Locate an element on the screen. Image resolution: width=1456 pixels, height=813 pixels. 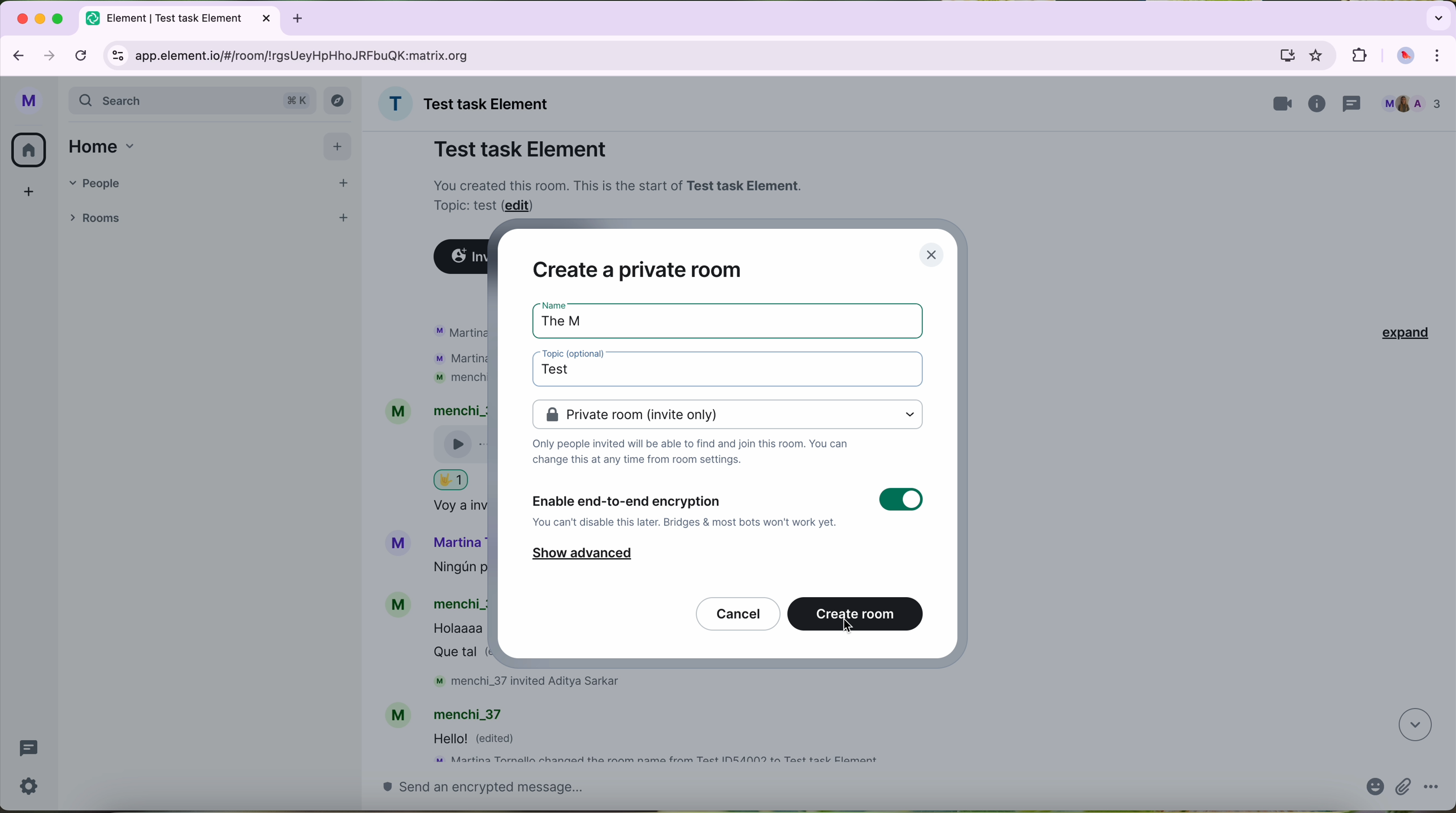
attach file is located at coordinates (1404, 788).